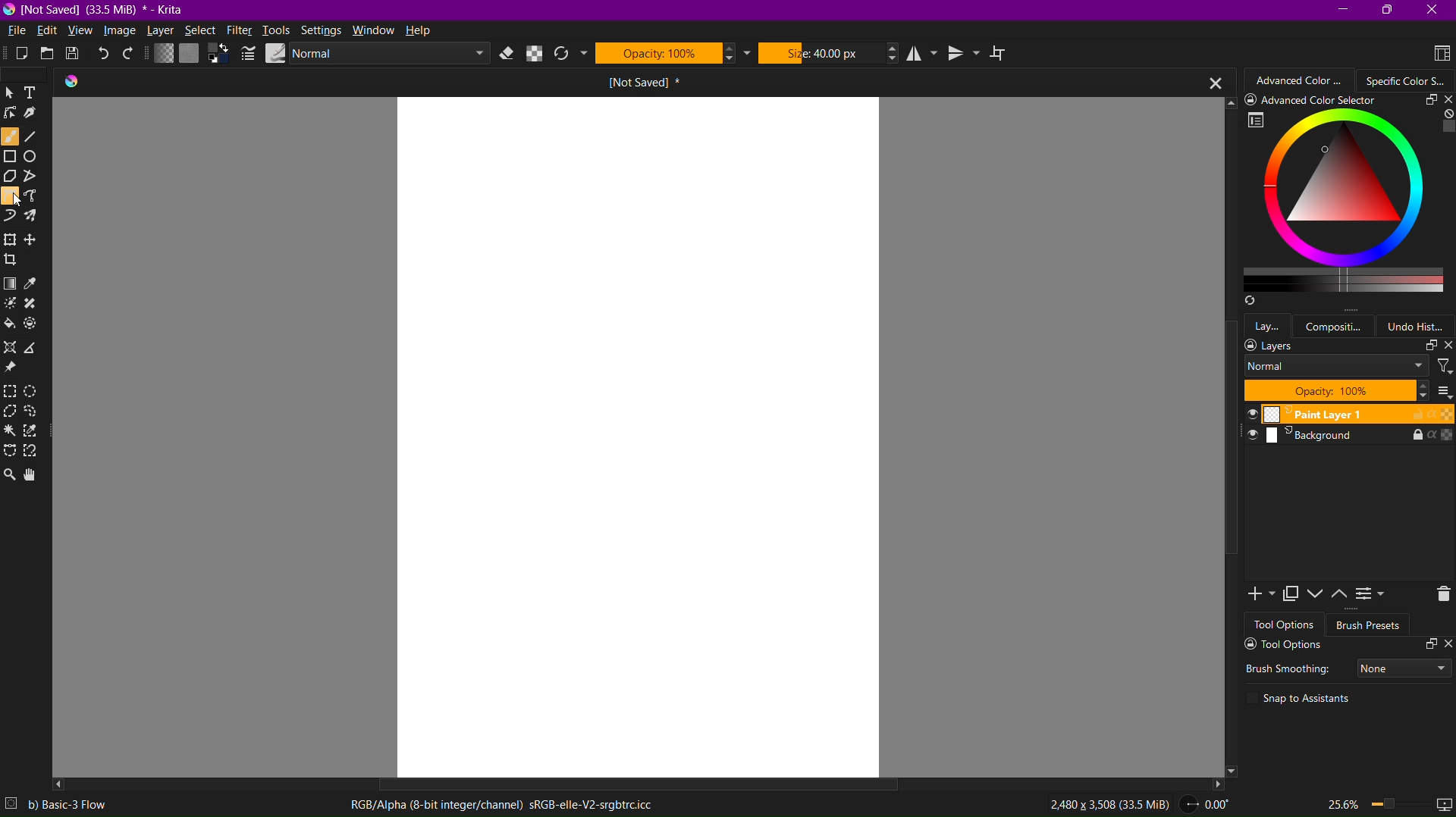  Describe the element at coordinates (99, 10) in the screenshot. I see `Window Name` at that location.